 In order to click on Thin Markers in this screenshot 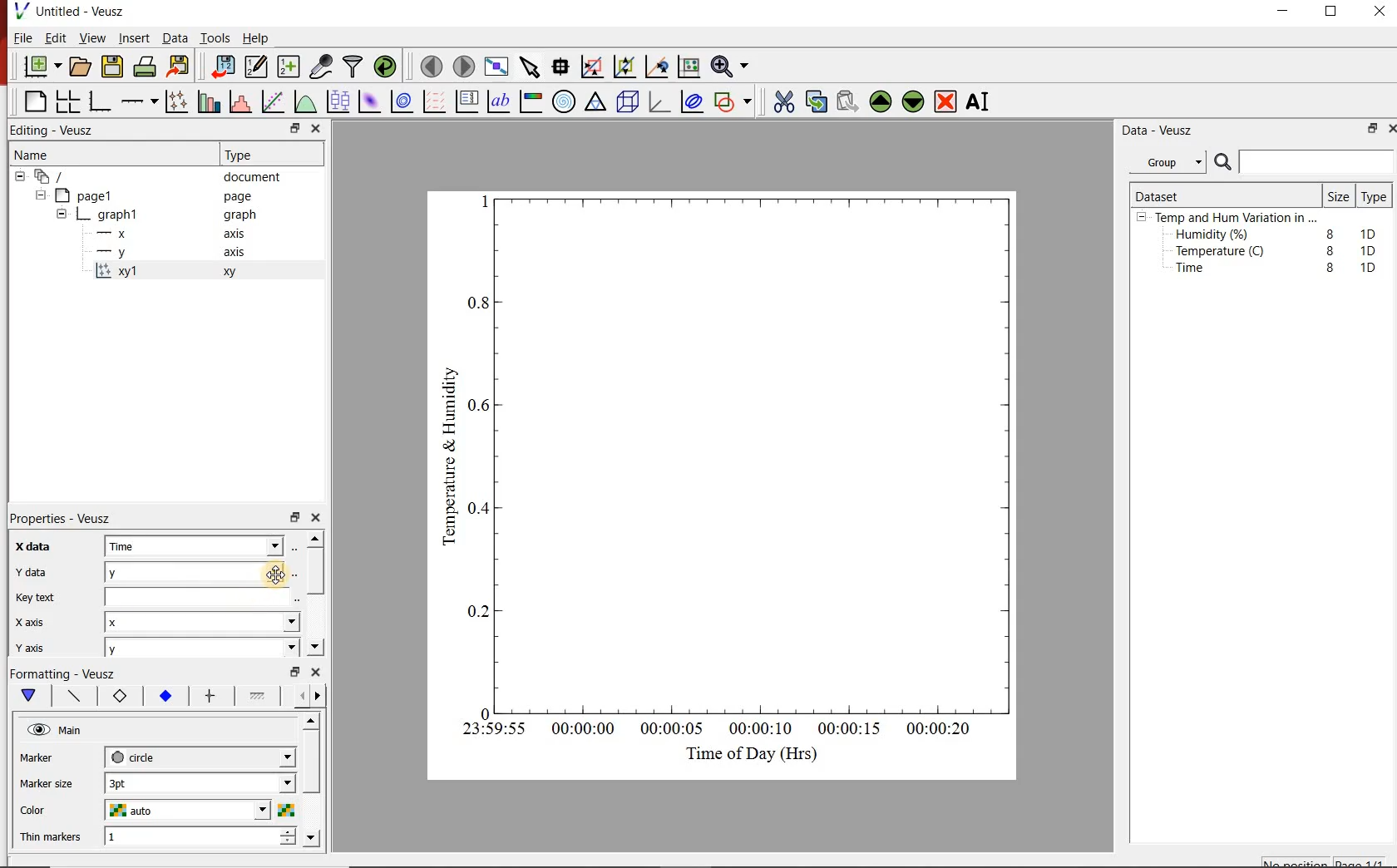, I will do `click(53, 838)`.